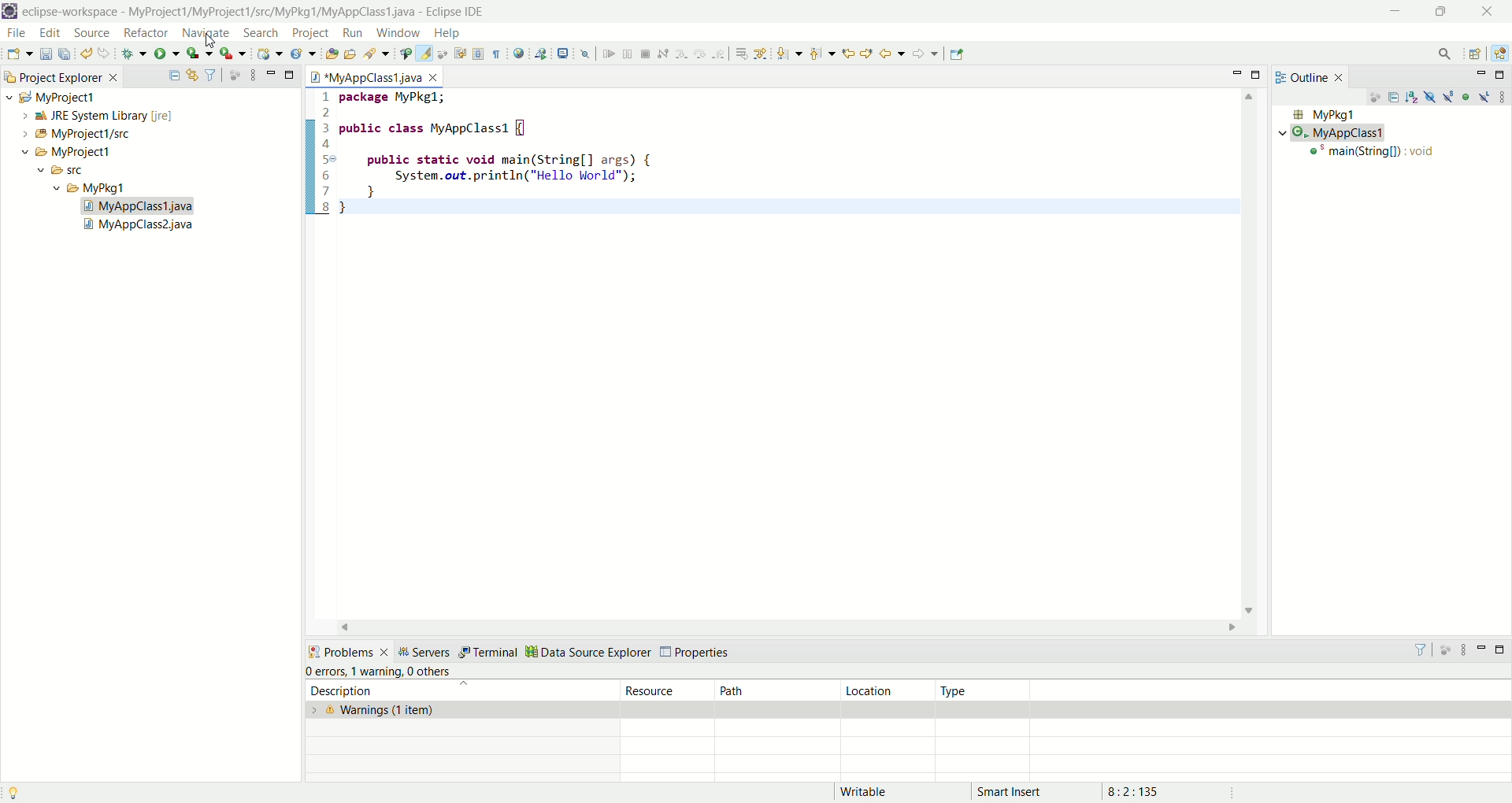 The image size is (1512, 803). I want to click on maximize, so click(1499, 649).